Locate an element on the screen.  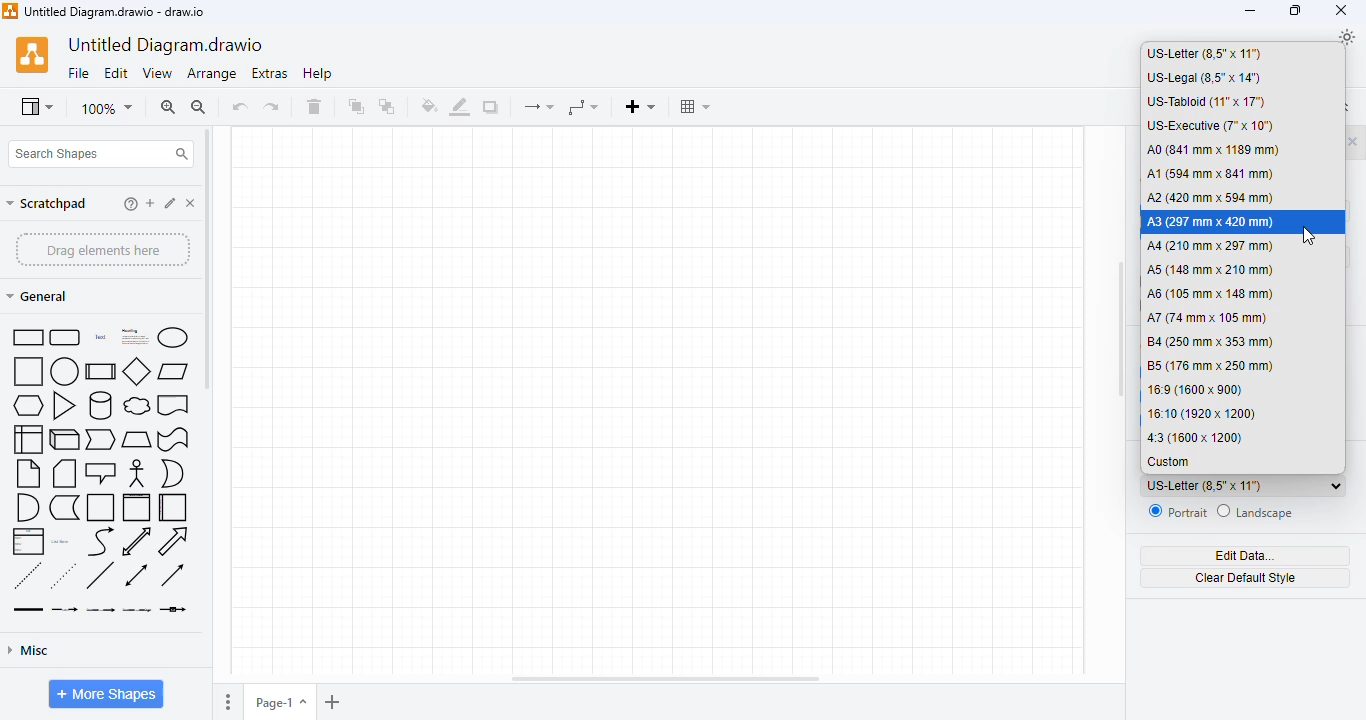
zoom out is located at coordinates (199, 107).